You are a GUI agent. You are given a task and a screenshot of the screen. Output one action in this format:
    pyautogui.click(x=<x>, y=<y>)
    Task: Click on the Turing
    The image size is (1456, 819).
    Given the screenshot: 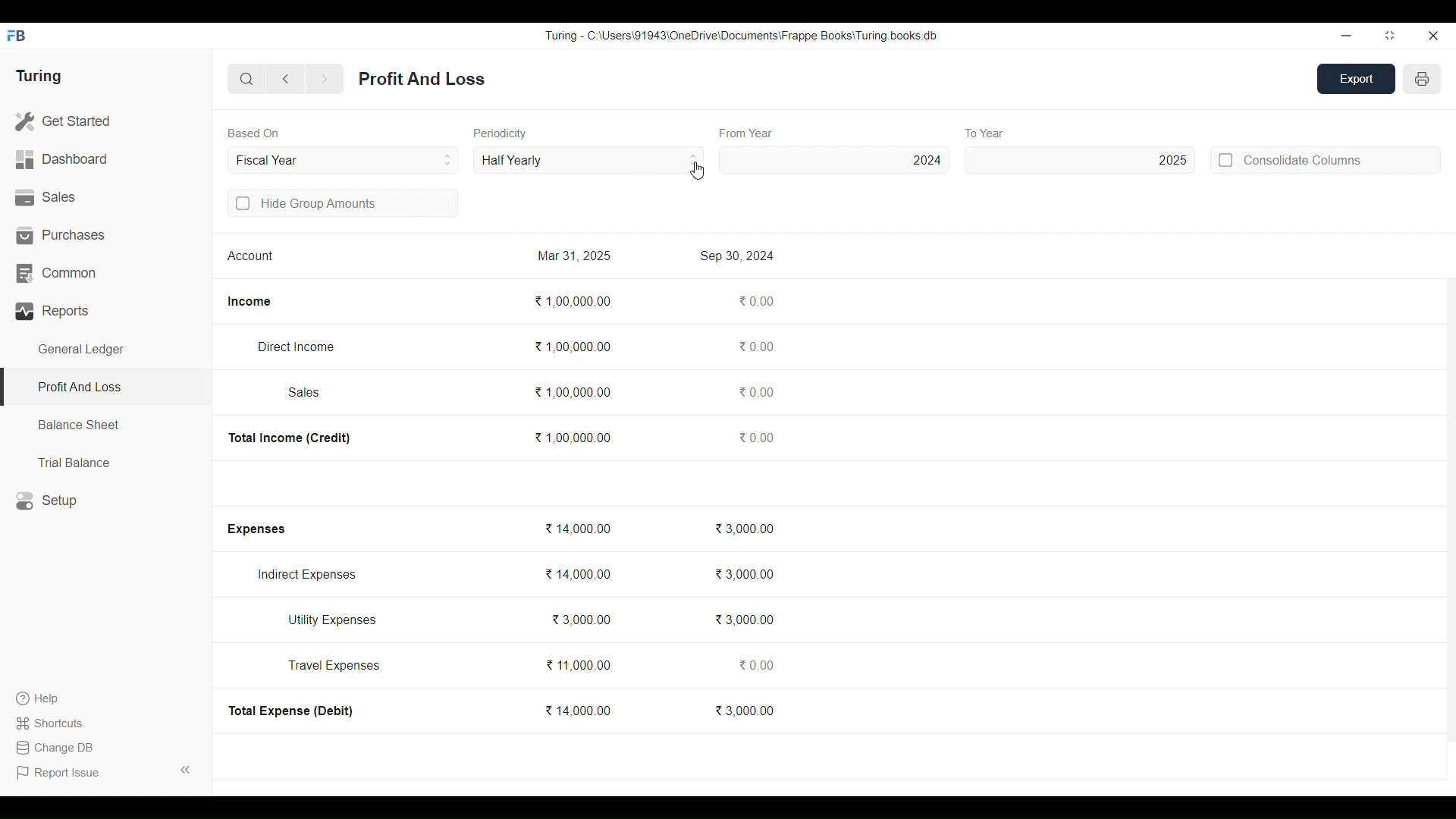 What is the action you would take?
    pyautogui.click(x=38, y=77)
    